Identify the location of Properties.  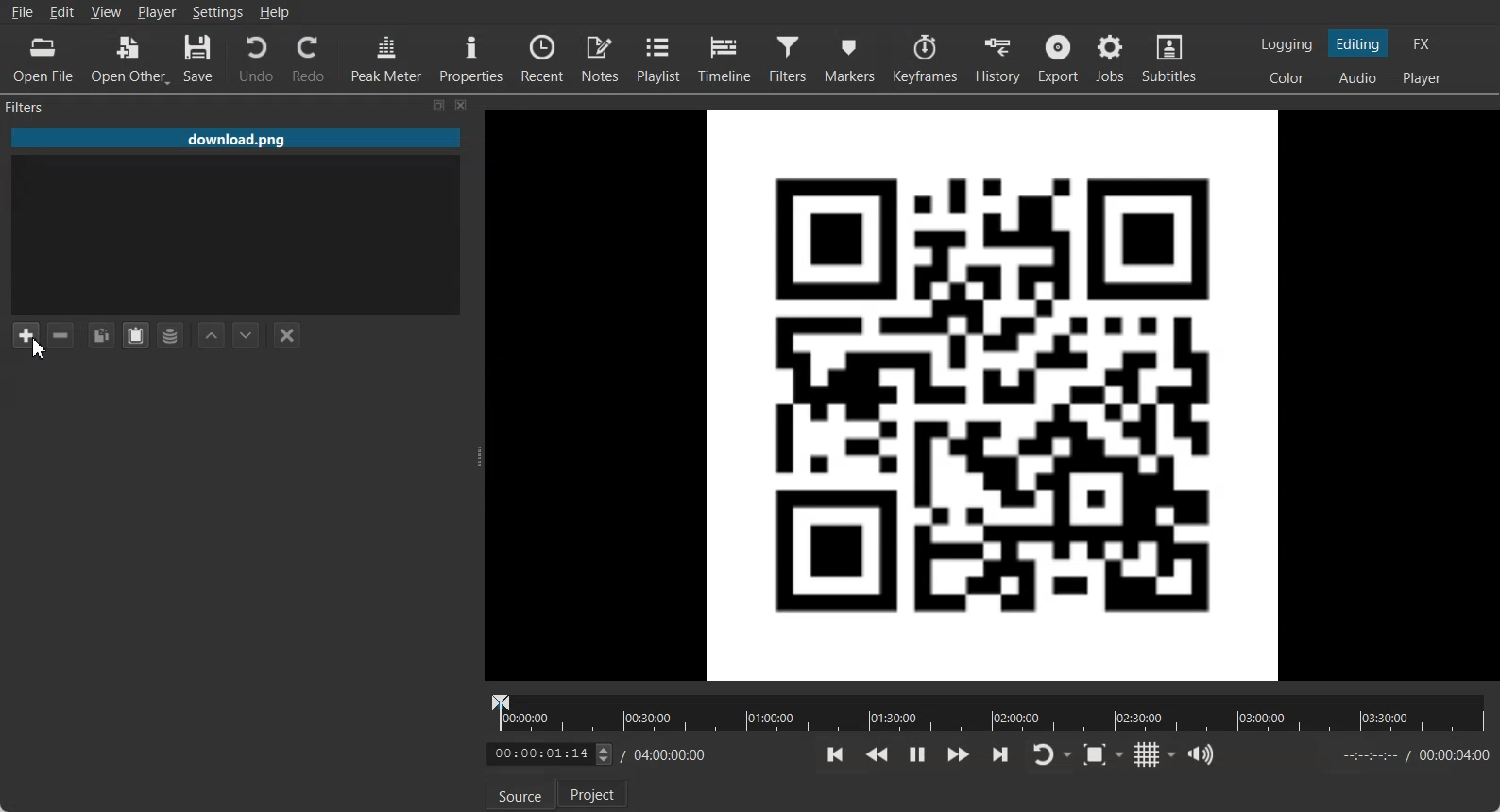
(471, 57).